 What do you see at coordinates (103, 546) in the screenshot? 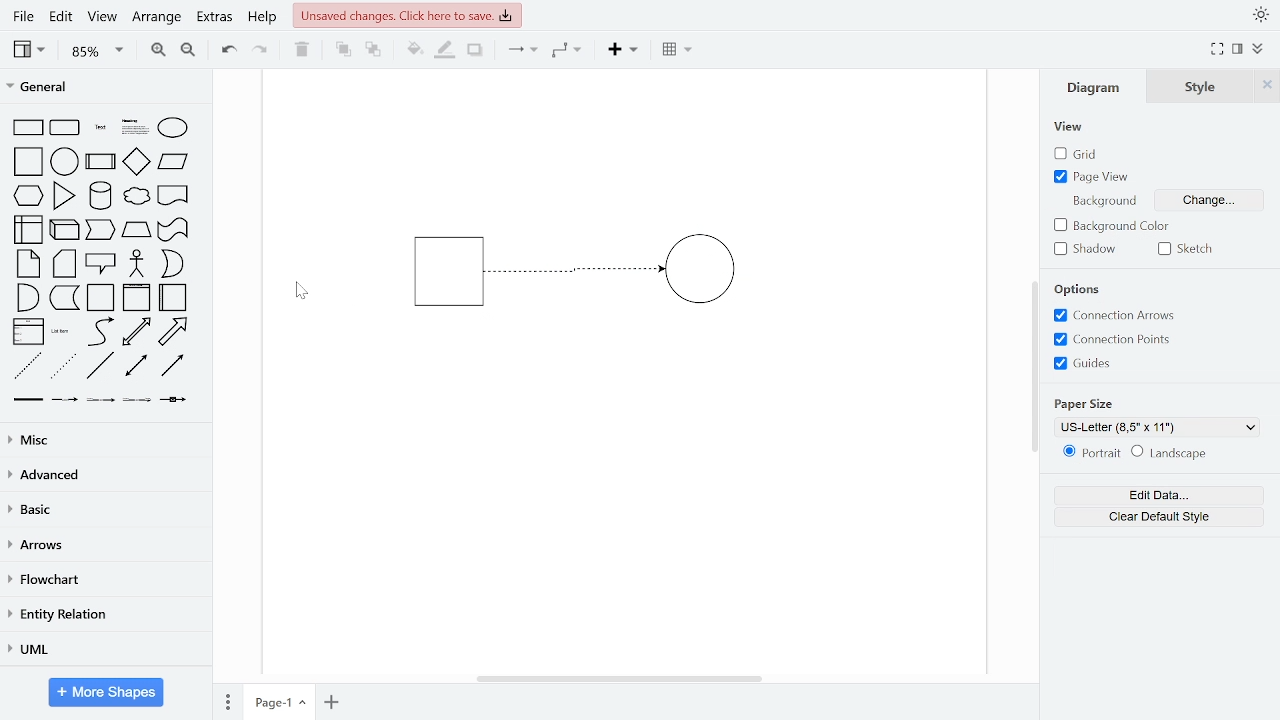
I see `arrows` at bounding box center [103, 546].